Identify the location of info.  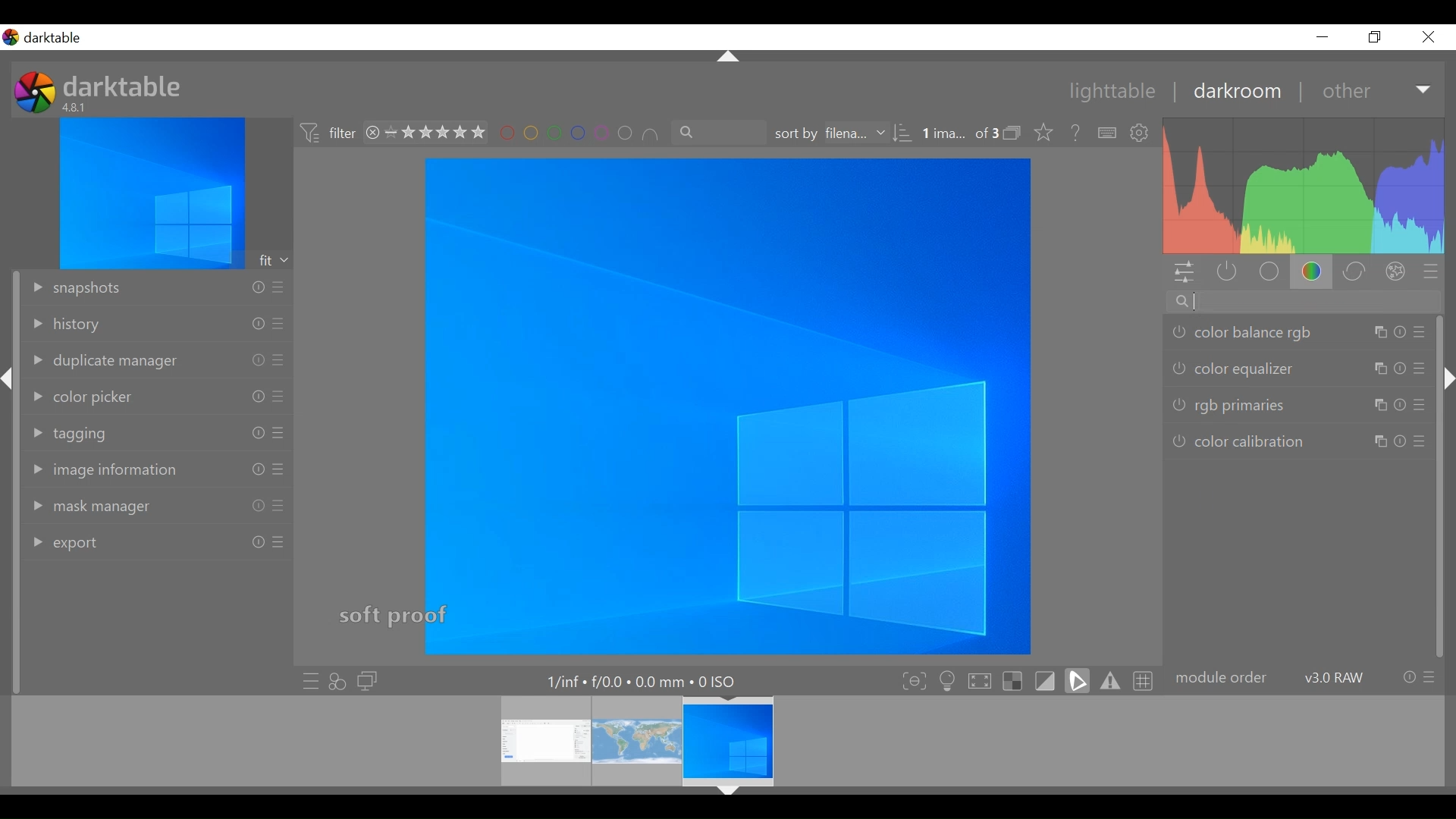
(259, 541).